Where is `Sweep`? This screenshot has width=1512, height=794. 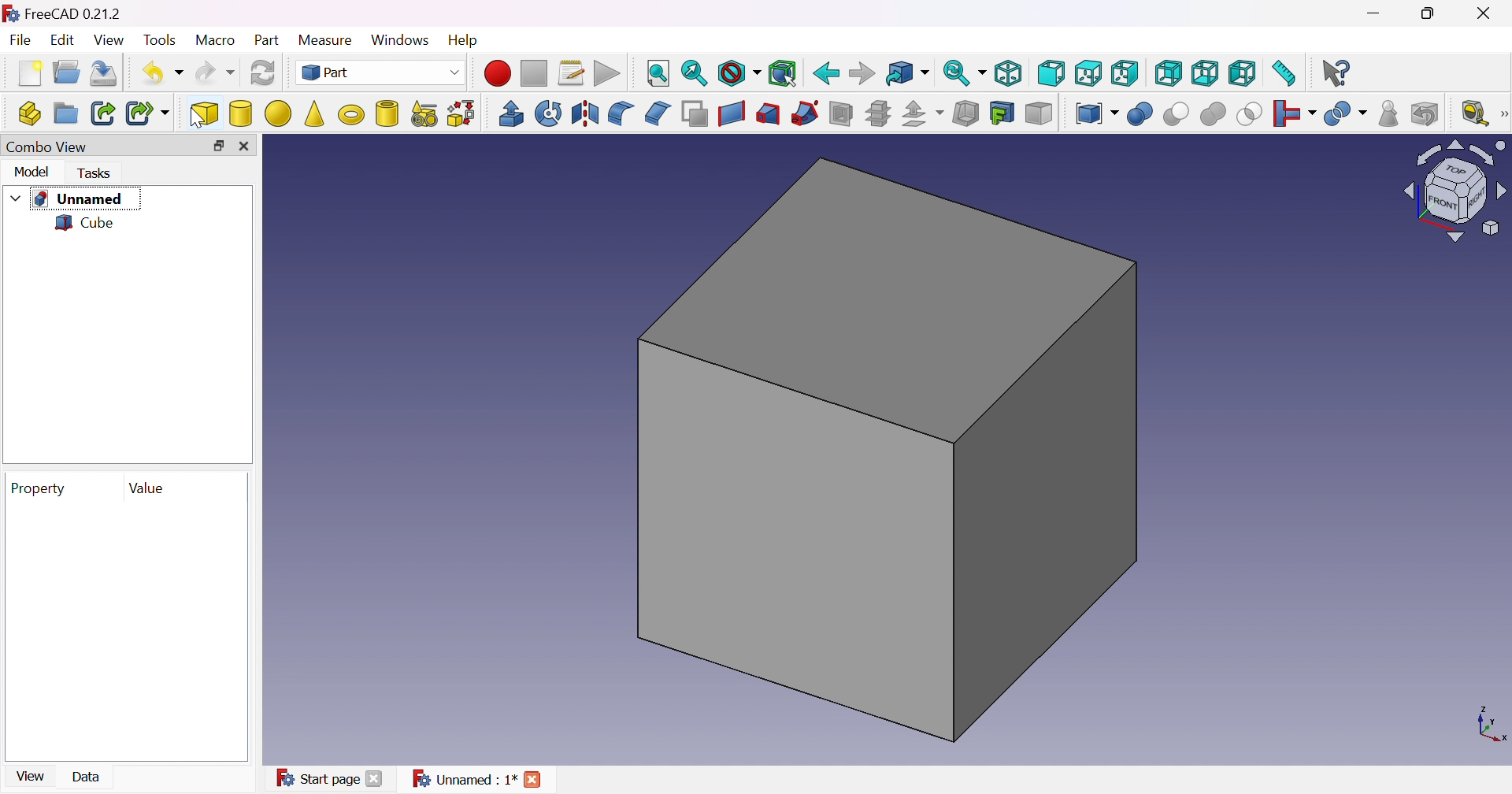
Sweep is located at coordinates (804, 113).